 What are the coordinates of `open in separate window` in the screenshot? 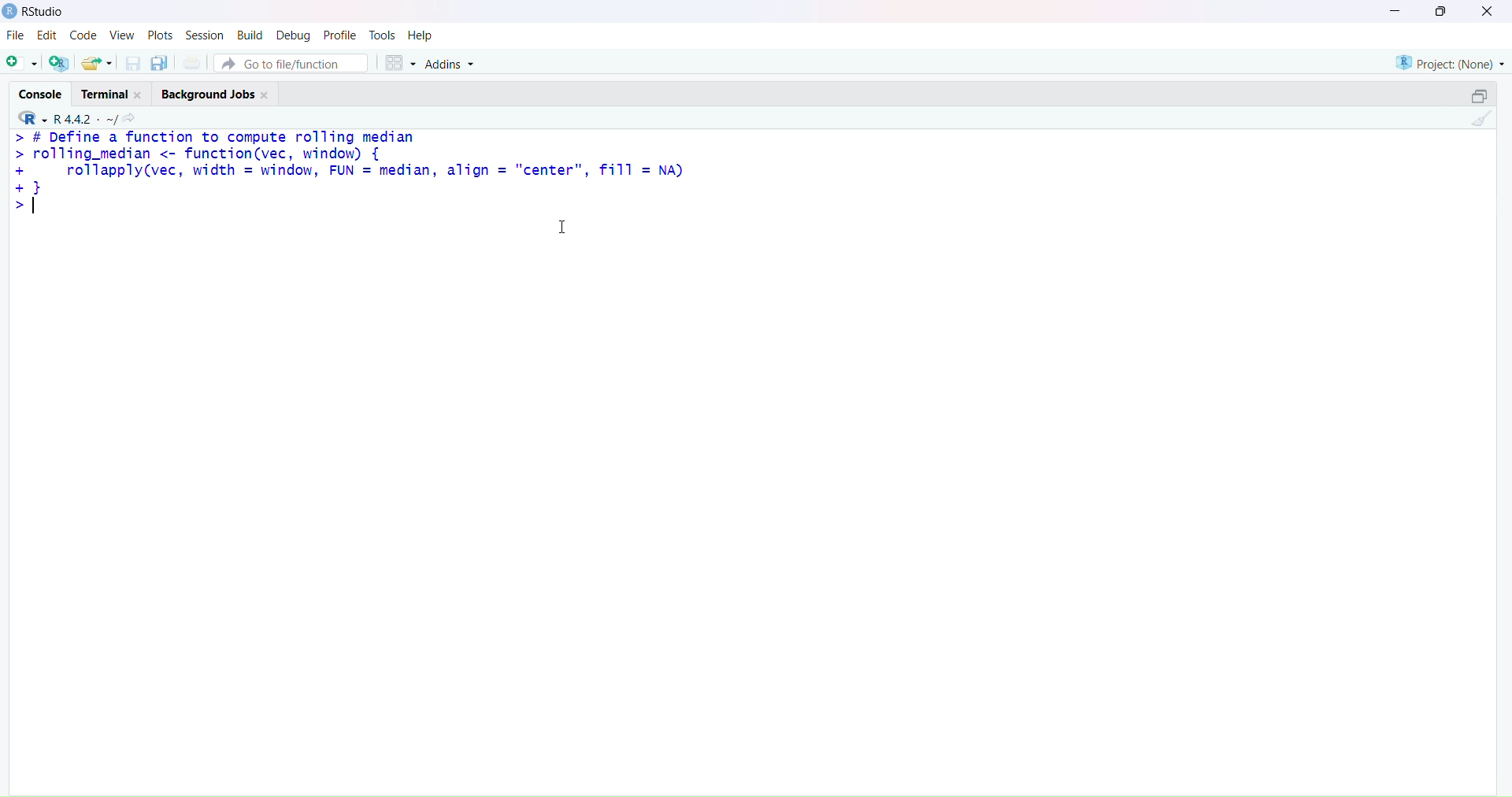 It's located at (1479, 96).